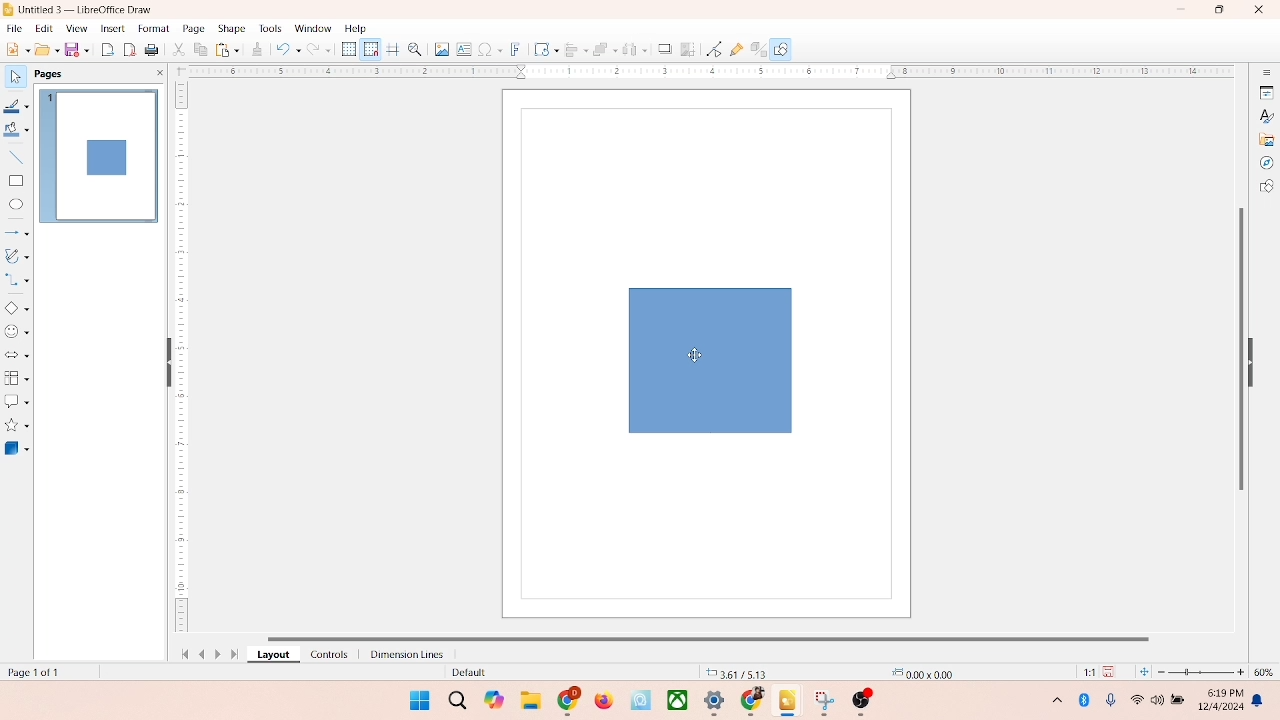  What do you see at coordinates (1160, 700) in the screenshot?
I see `speaker` at bounding box center [1160, 700].